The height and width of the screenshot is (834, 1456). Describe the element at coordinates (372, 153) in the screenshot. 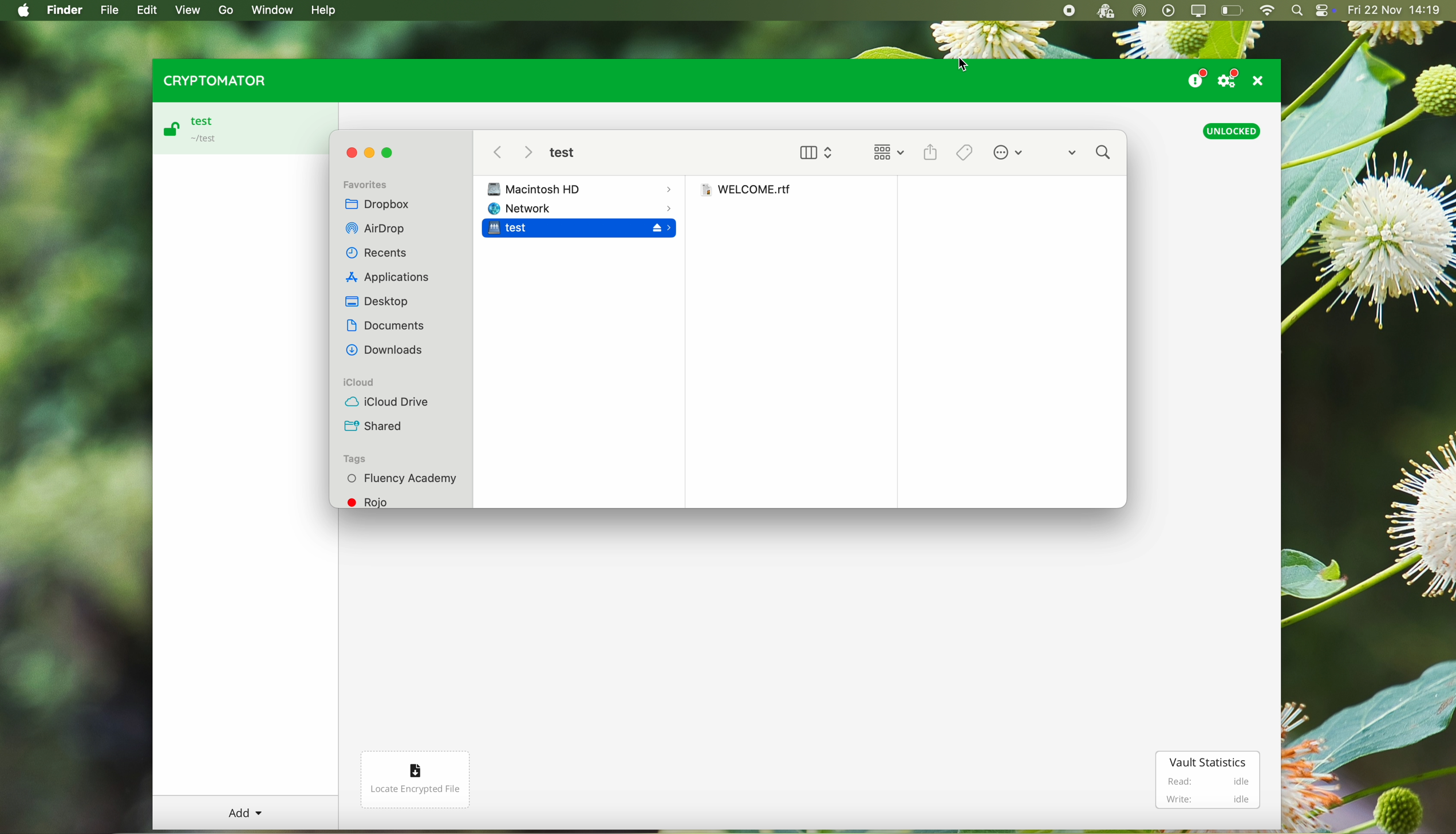

I see `minimize` at that location.